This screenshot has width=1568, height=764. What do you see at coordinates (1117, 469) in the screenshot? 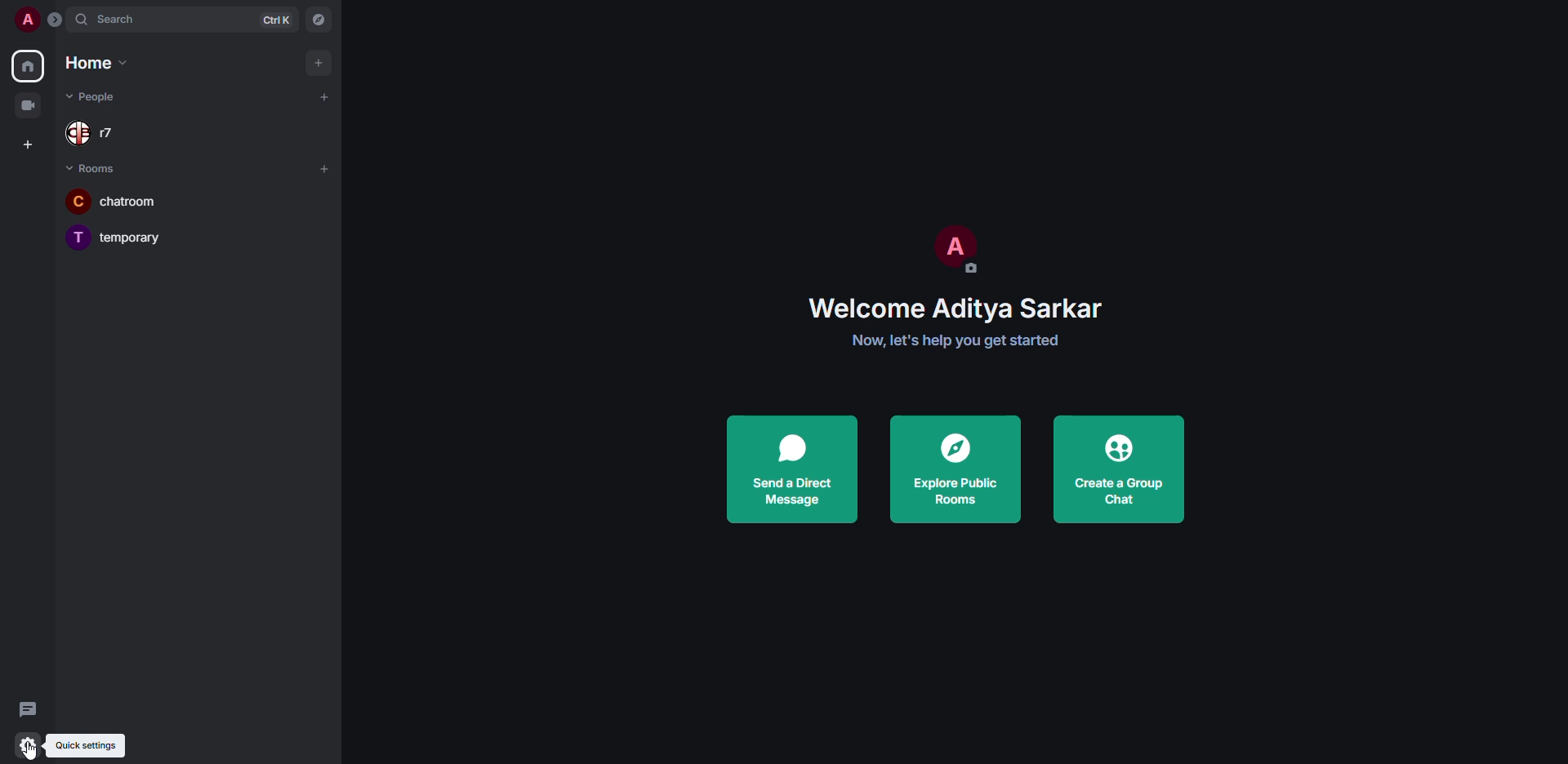
I see `create a group chat` at bounding box center [1117, 469].